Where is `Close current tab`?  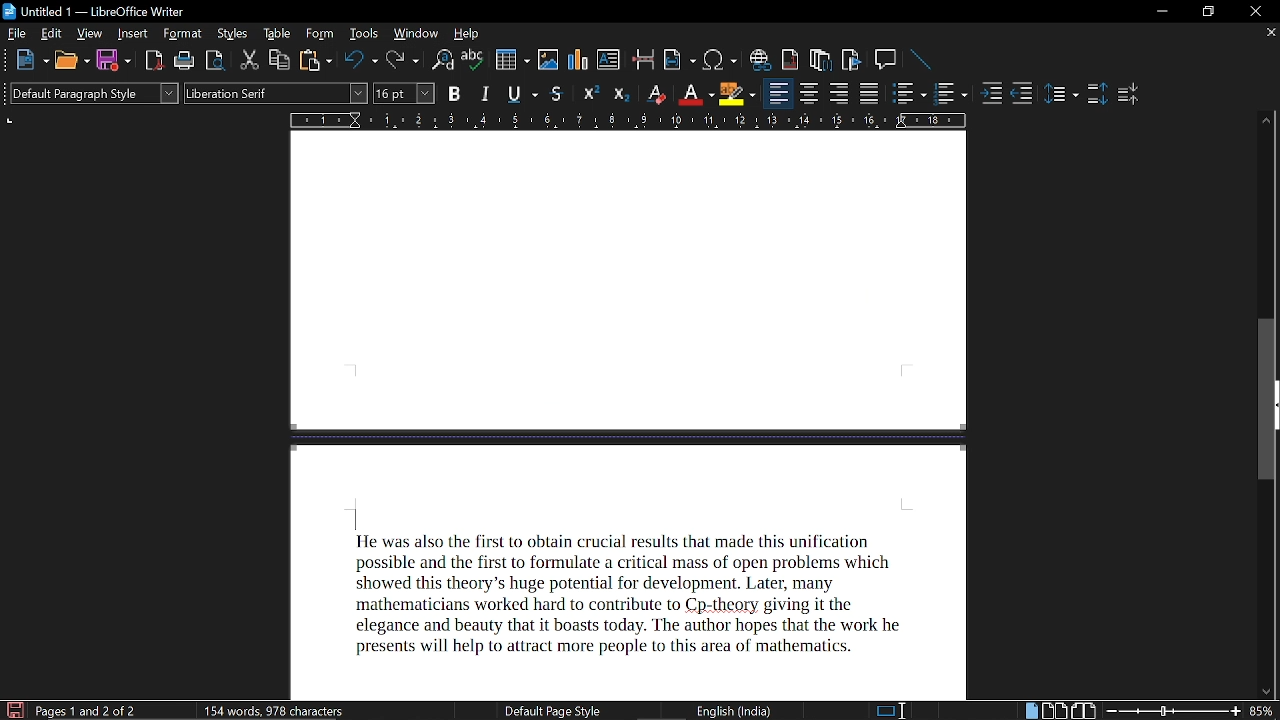 Close current tab is located at coordinates (1268, 35).